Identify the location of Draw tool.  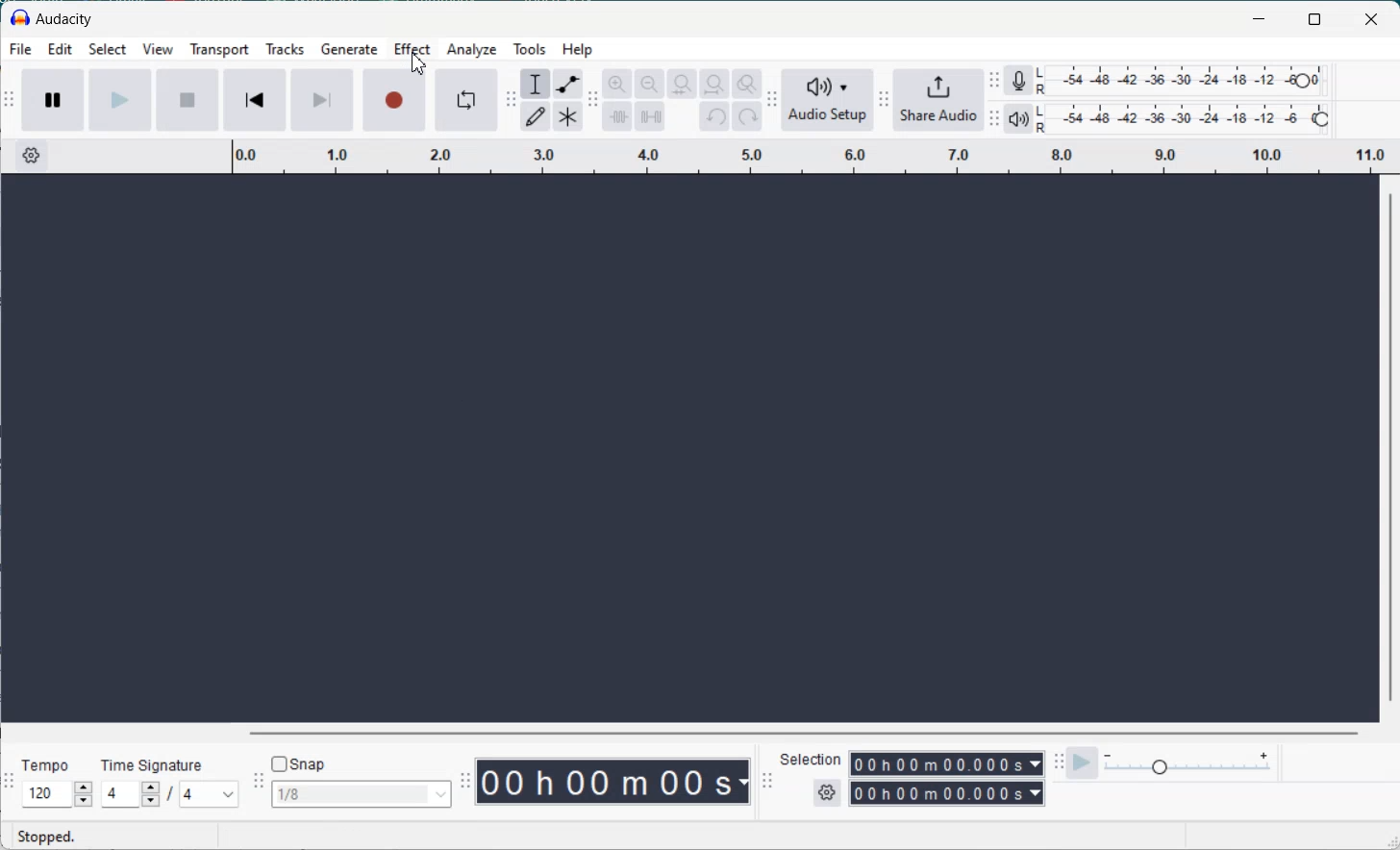
(536, 115).